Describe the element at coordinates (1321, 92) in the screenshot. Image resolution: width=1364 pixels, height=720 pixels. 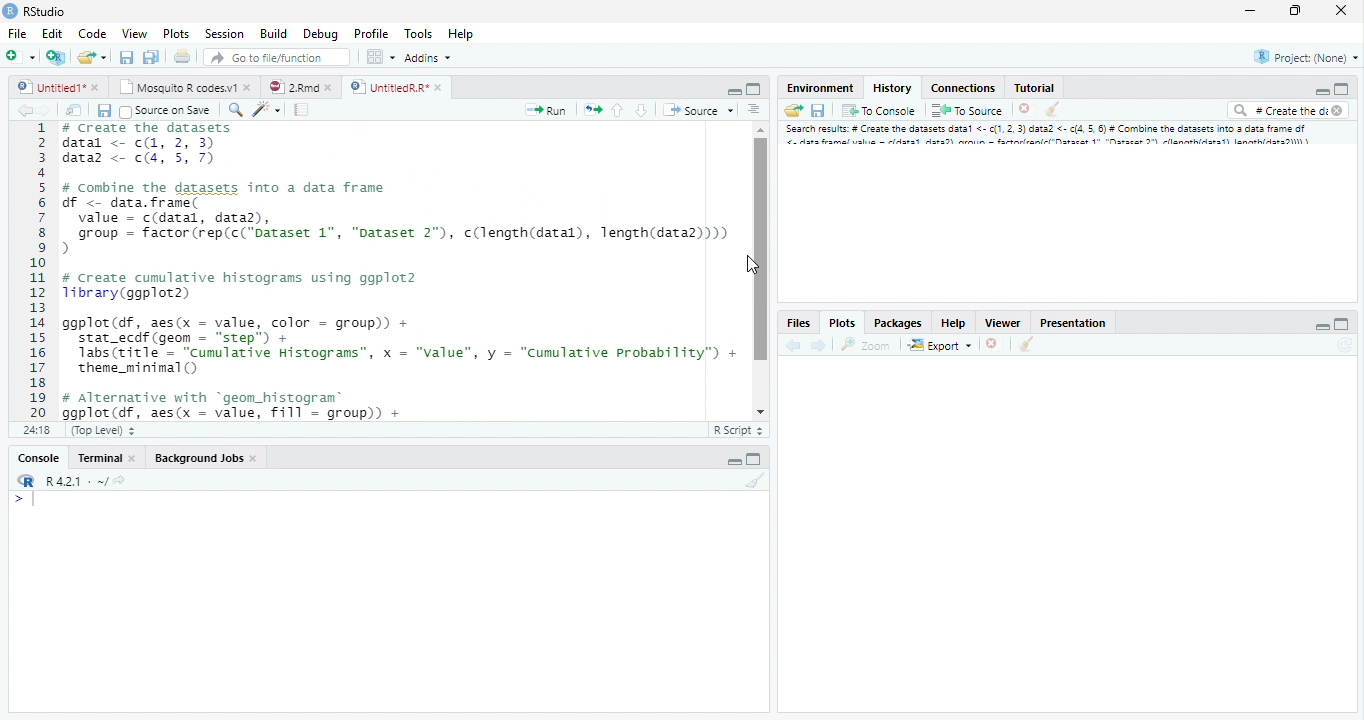
I see `Minimize` at that location.